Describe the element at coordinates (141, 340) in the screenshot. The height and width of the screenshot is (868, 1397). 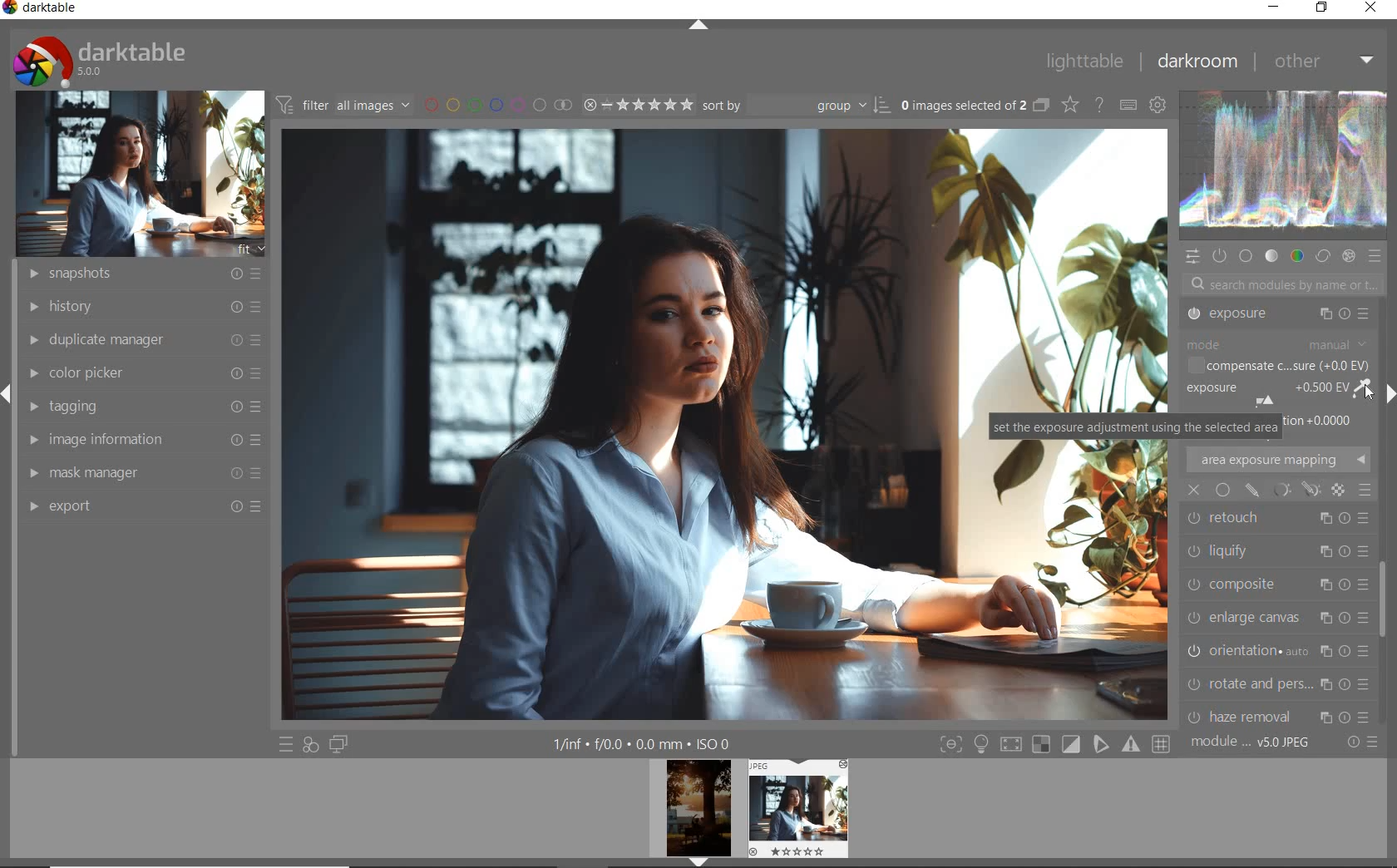
I see `DUPLICATE MANAGER` at that location.